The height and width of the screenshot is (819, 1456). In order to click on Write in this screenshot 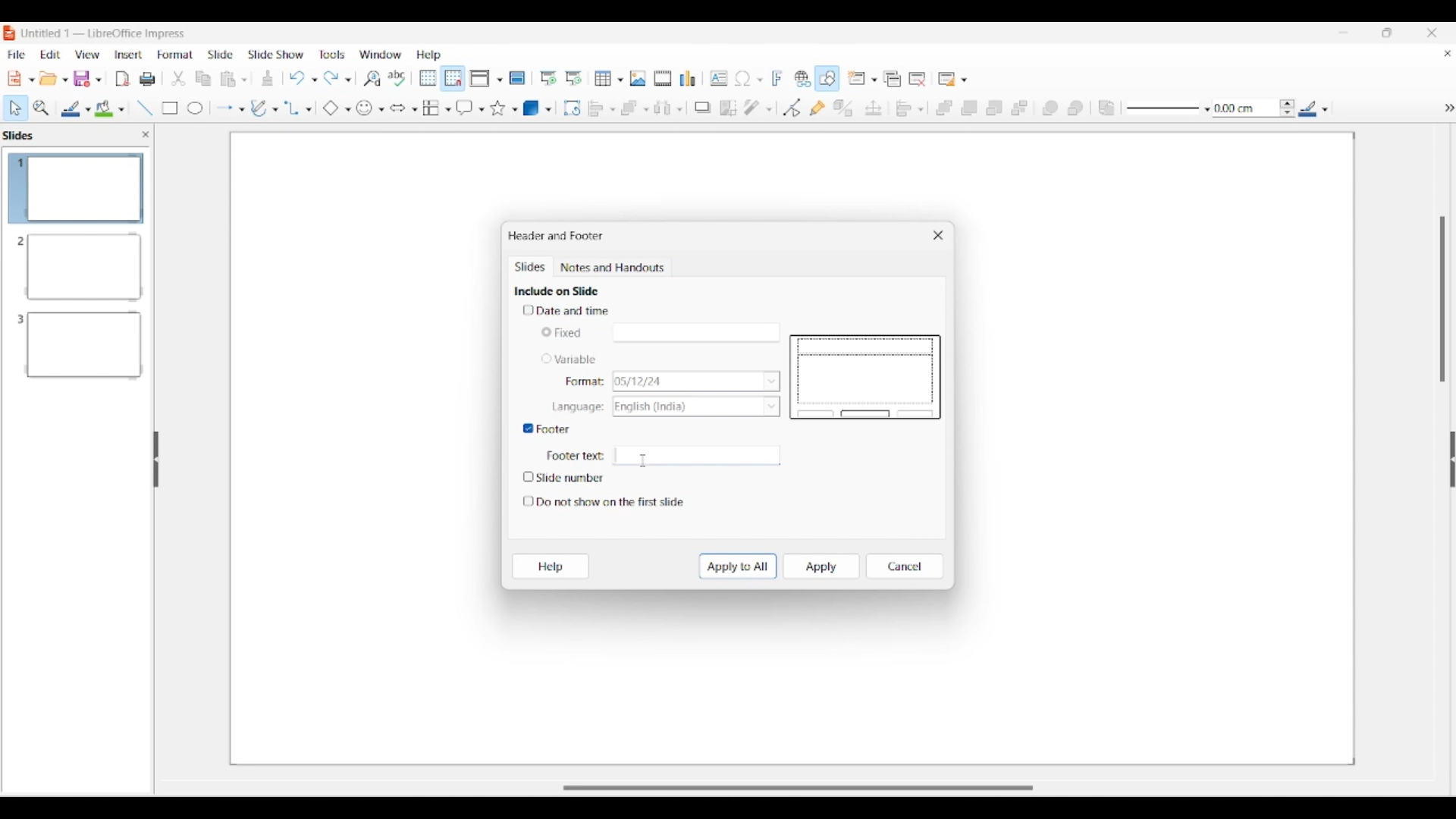, I will do `click(260, 106)`.